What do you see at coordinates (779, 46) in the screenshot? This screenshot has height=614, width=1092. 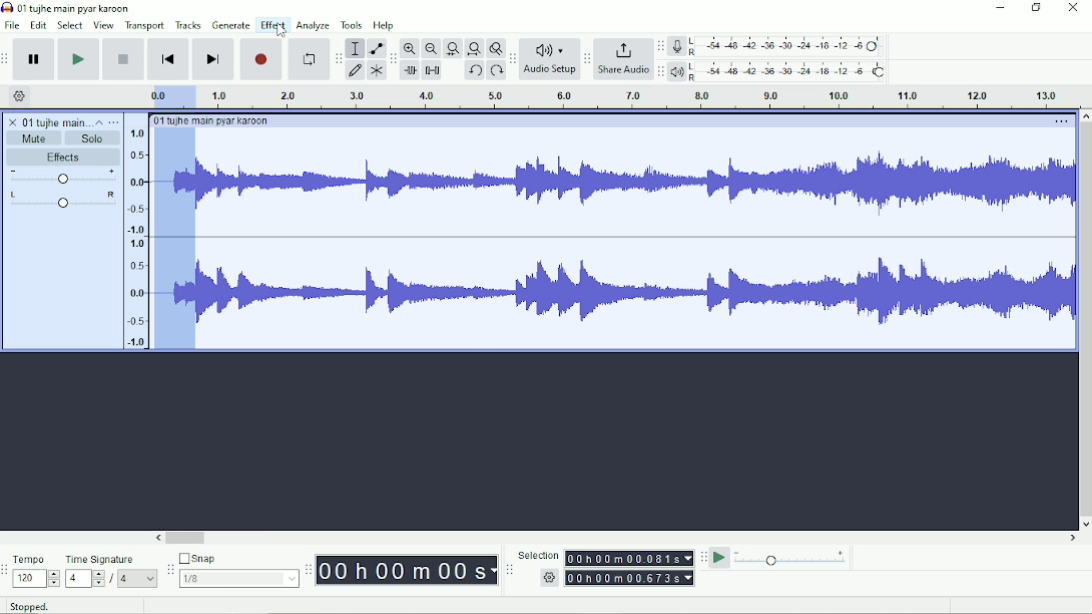 I see `Record Meter` at bounding box center [779, 46].